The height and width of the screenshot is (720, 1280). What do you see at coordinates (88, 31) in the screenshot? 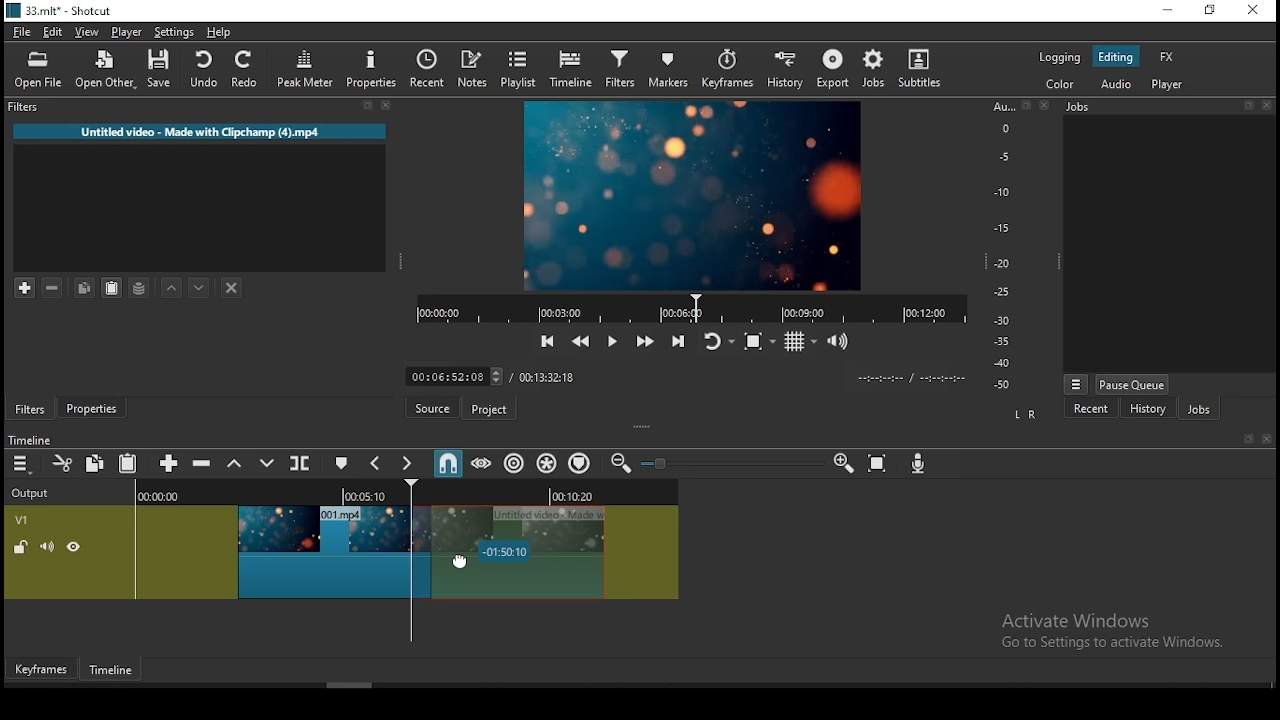
I see `view` at bounding box center [88, 31].